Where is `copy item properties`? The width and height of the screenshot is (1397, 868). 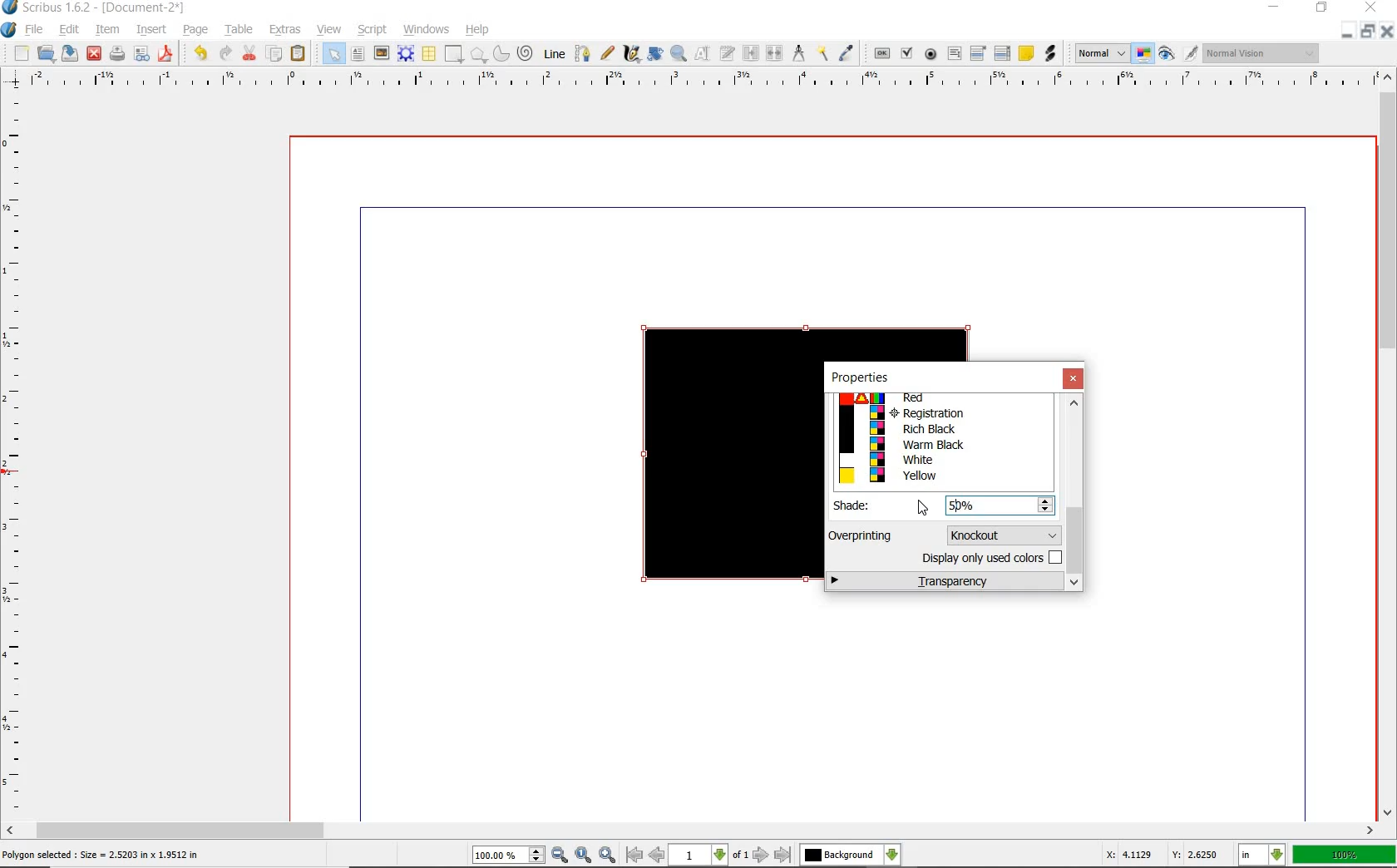
copy item properties is located at coordinates (822, 56).